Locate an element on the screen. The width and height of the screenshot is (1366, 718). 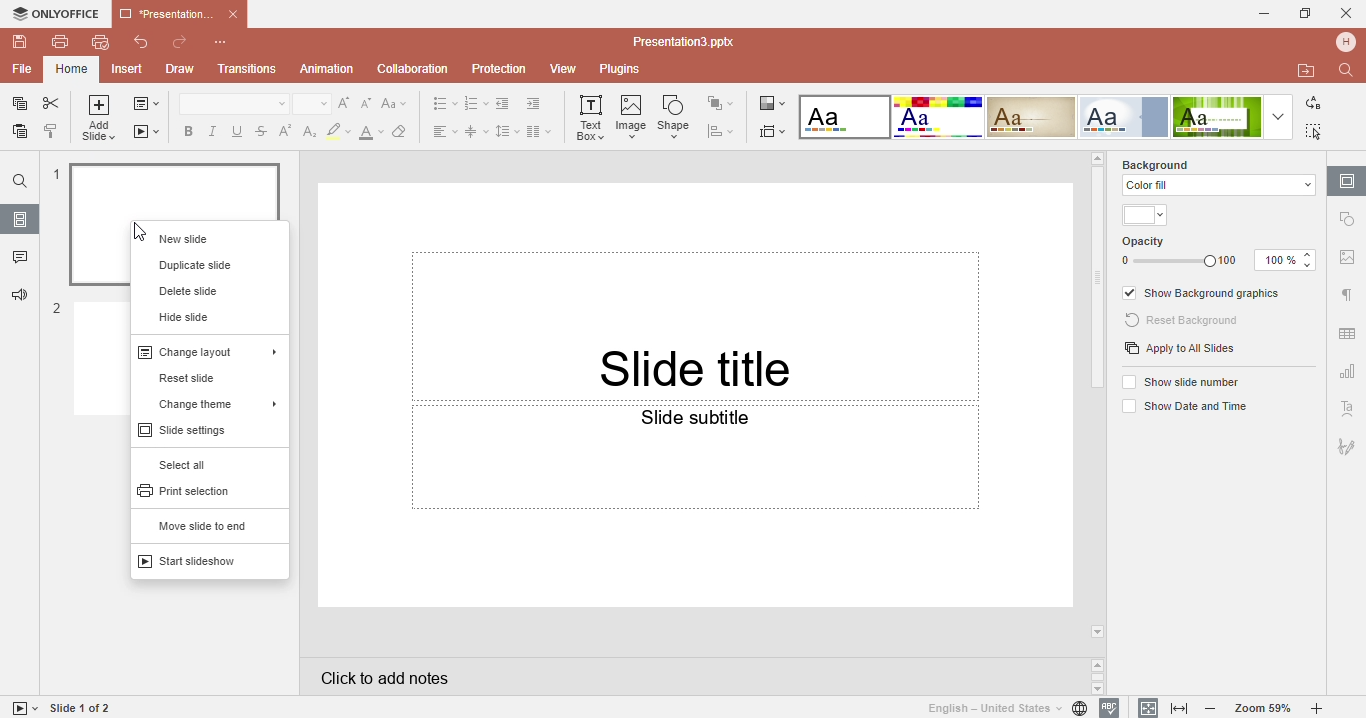
Font size is located at coordinates (313, 104).